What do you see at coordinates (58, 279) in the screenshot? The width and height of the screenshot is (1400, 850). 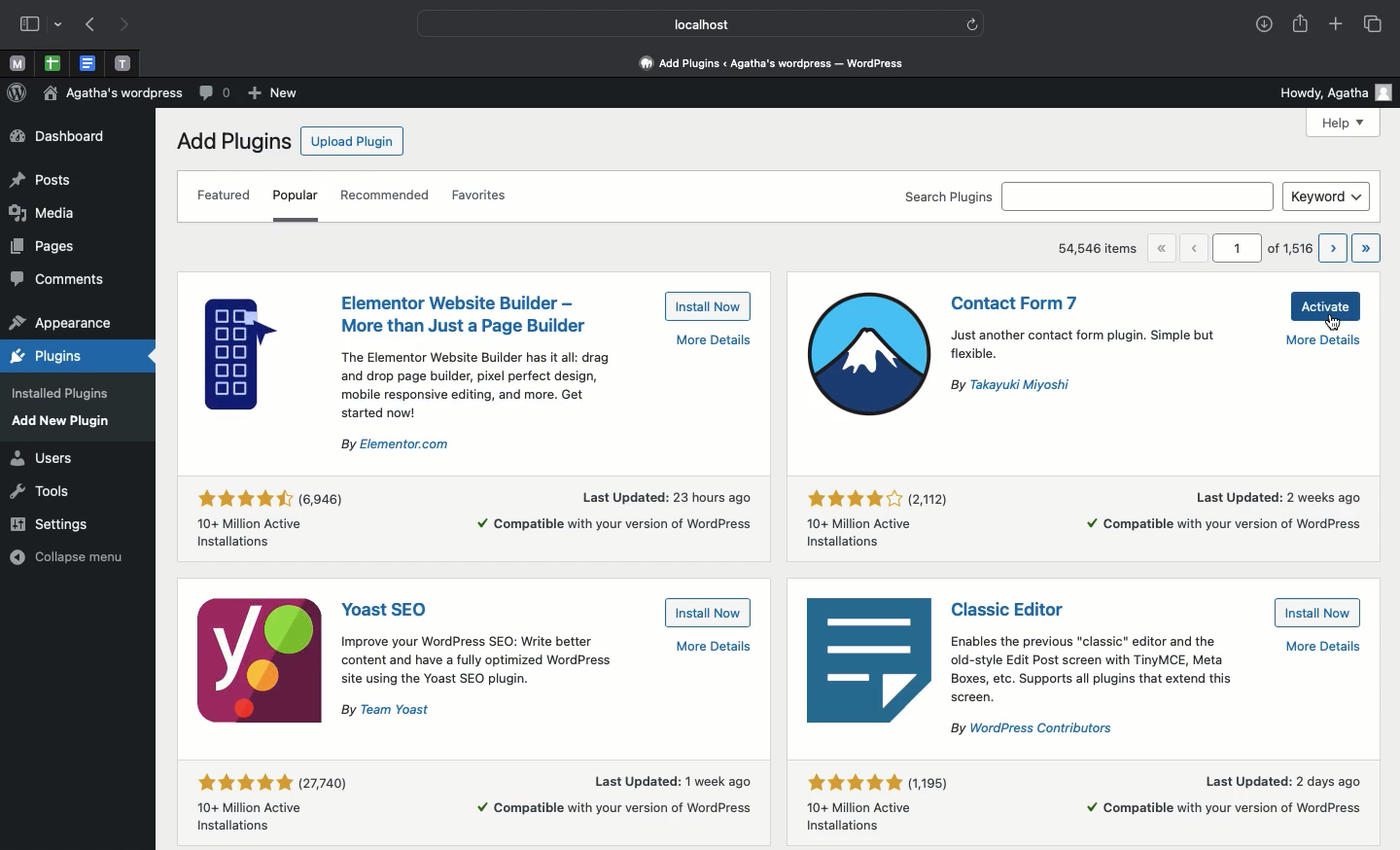 I see `comments` at bounding box center [58, 279].